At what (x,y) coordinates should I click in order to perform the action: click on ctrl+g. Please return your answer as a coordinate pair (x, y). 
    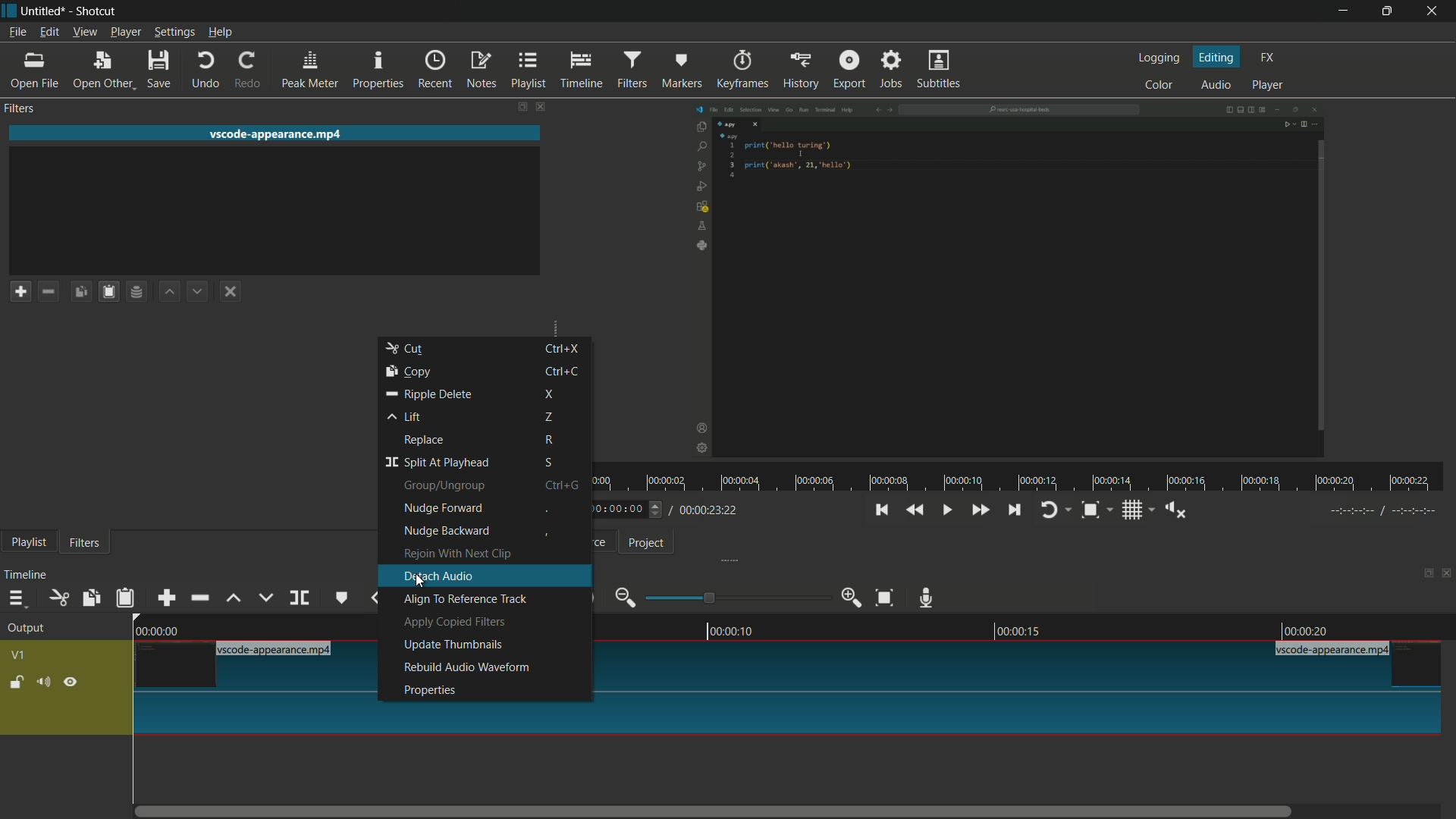
    Looking at the image, I should click on (566, 485).